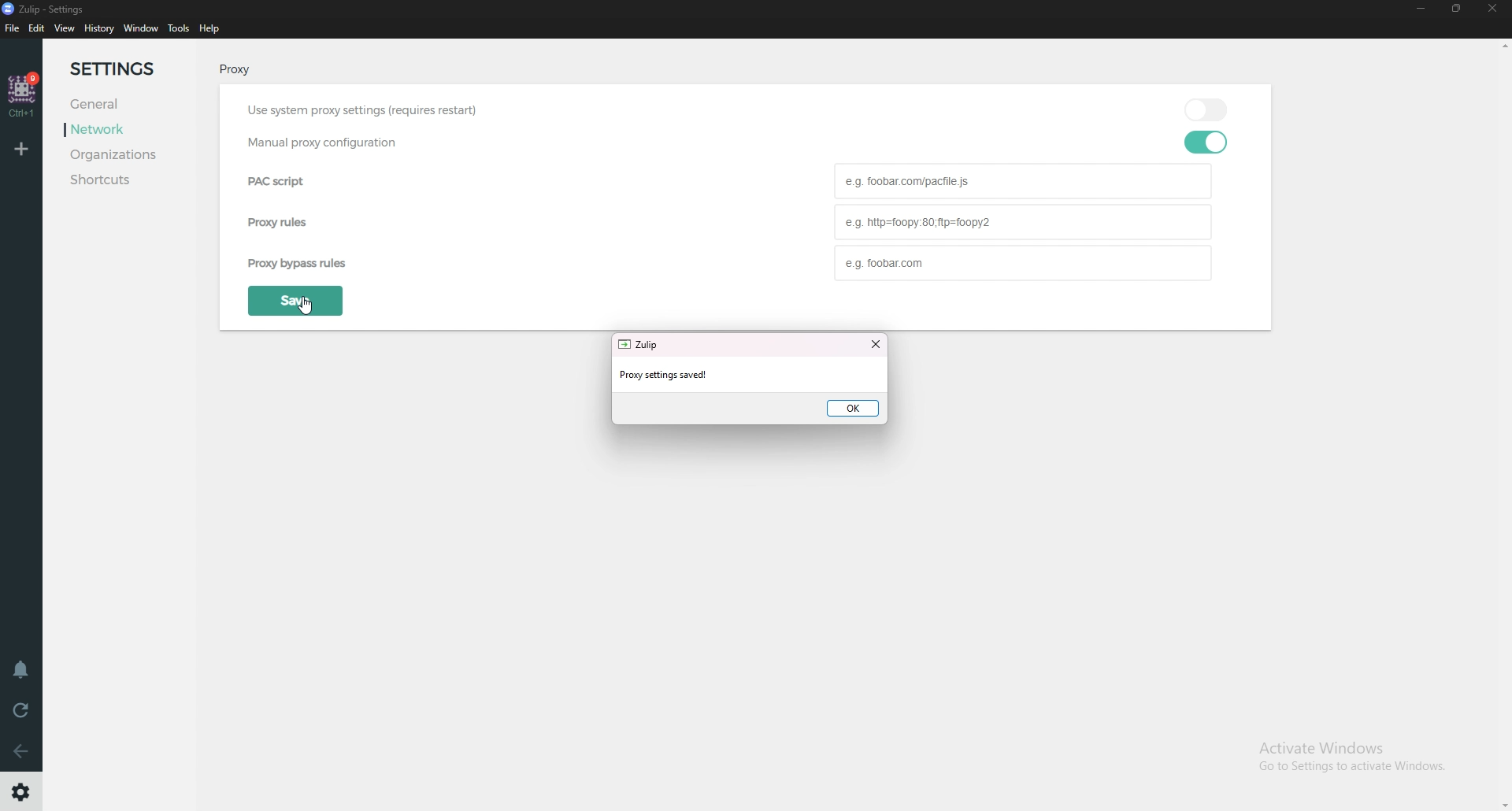 The height and width of the screenshot is (811, 1512). What do you see at coordinates (347, 262) in the screenshot?
I see `Proxy bipass rules` at bounding box center [347, 262].